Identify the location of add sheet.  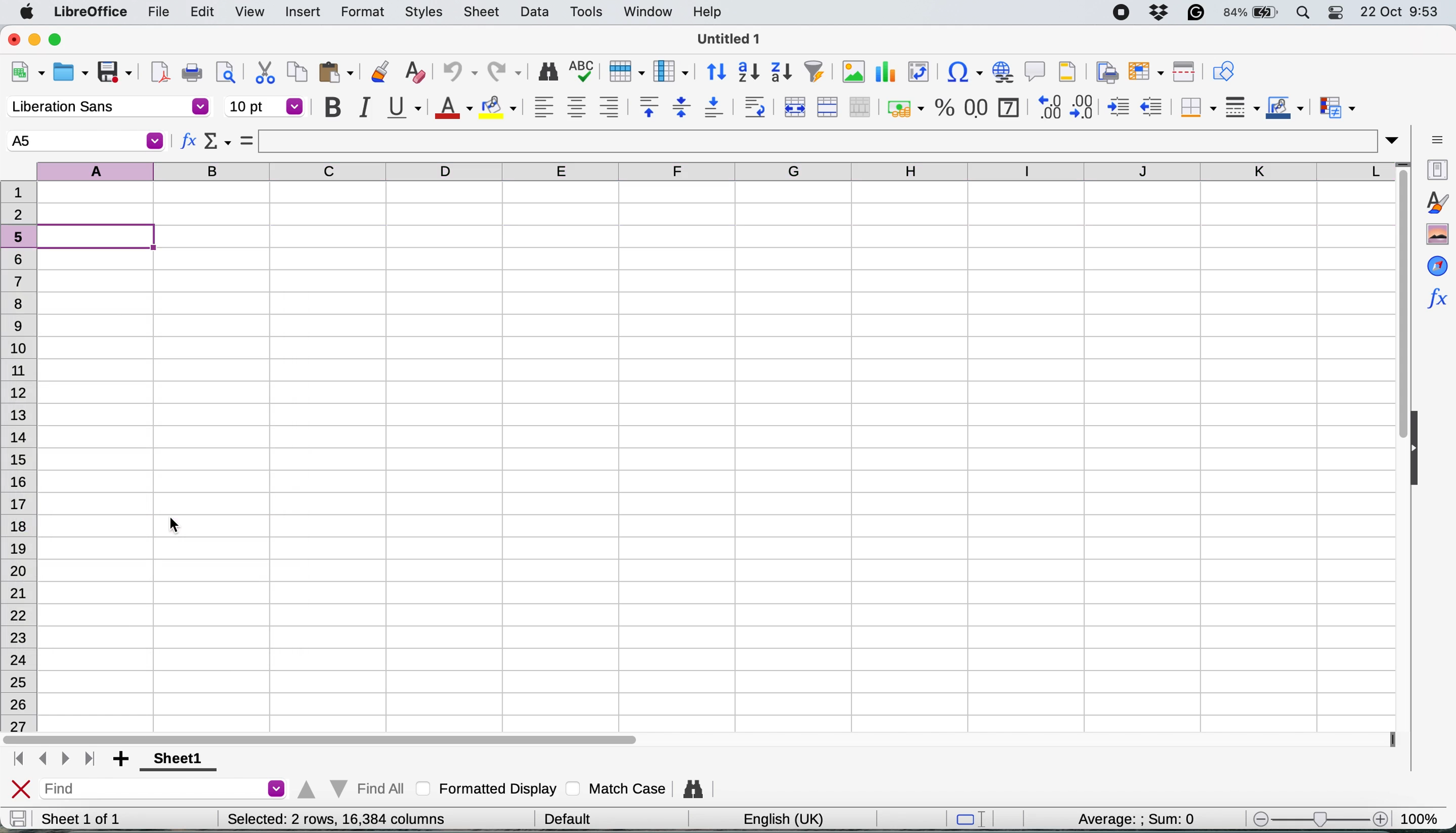
(123, 760).